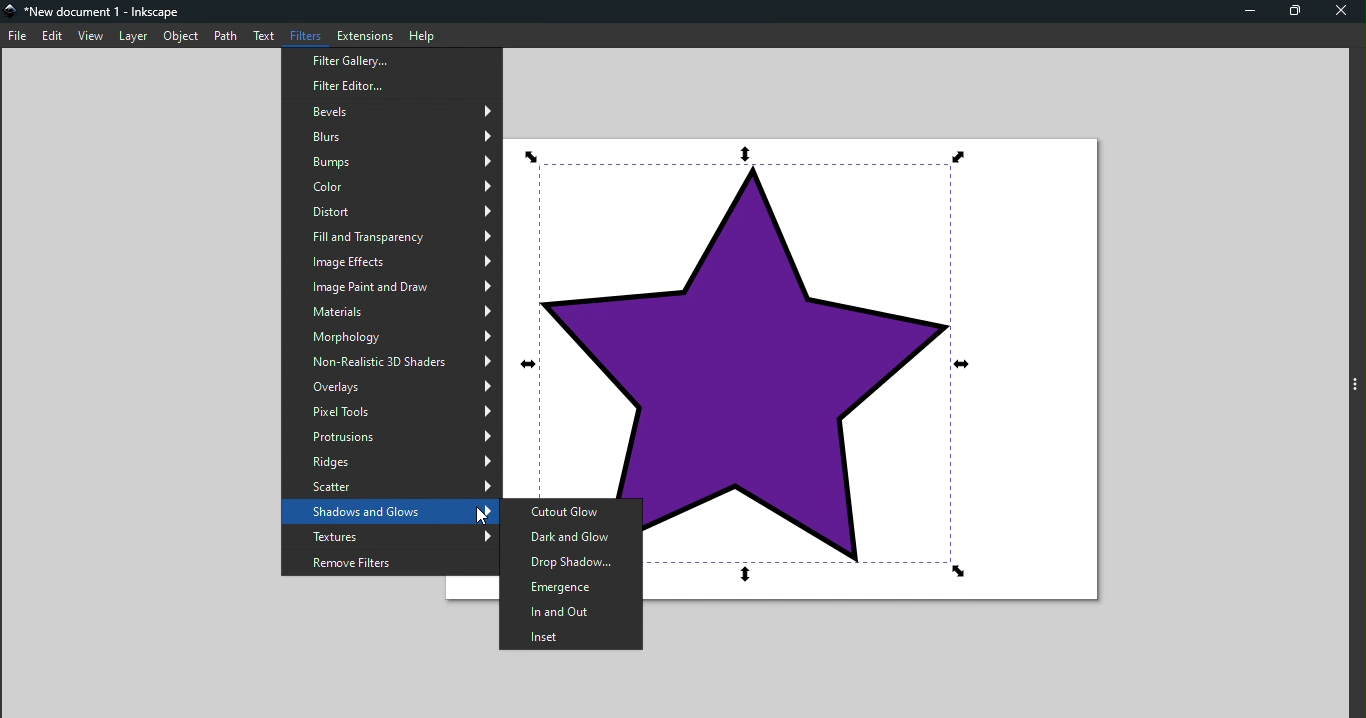 This screenshot has width=1366, height=718. What do you see at coordinates (390, 361) in the screenshot?
I see `Non-realistic 3D shades` at bounding box center [390, 361].